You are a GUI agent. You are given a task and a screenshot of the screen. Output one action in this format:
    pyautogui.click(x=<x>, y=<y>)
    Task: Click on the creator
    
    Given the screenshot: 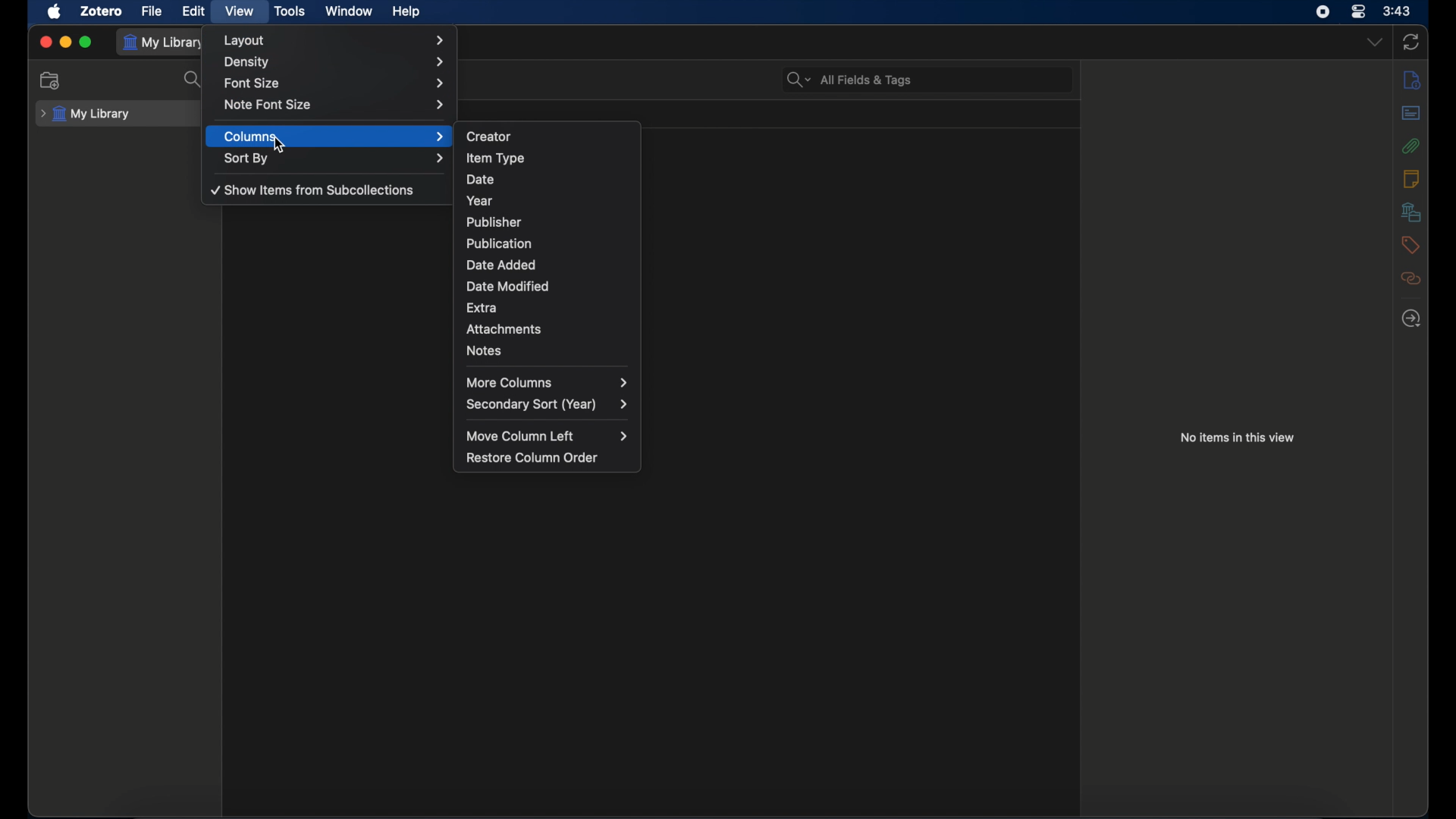 What is the action you would take?
    pyautogui.click(x=551, y=133)
    